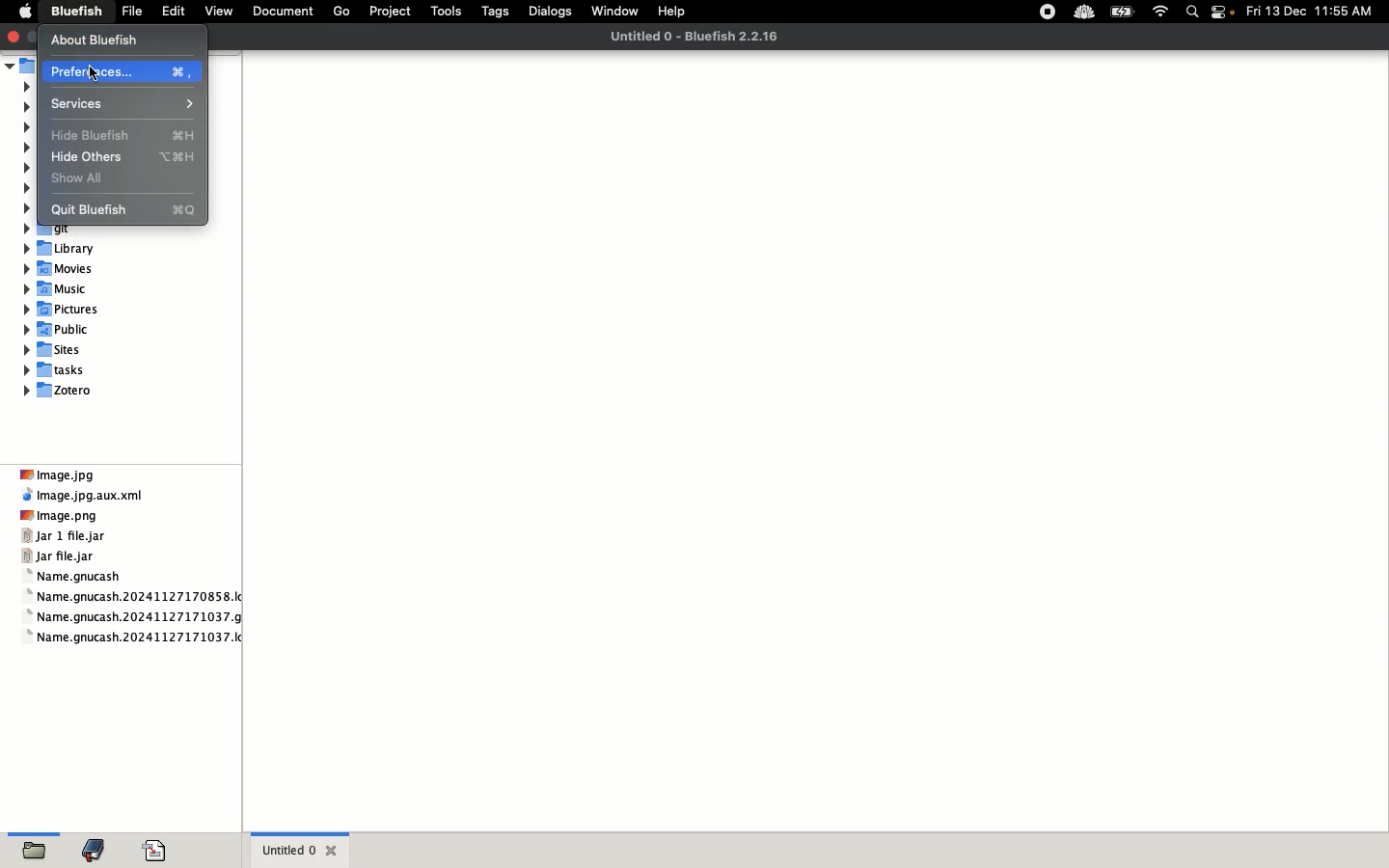 The height and width of the screenshot is (868, 1389). I want to click on bluefish, so click(73, 13).